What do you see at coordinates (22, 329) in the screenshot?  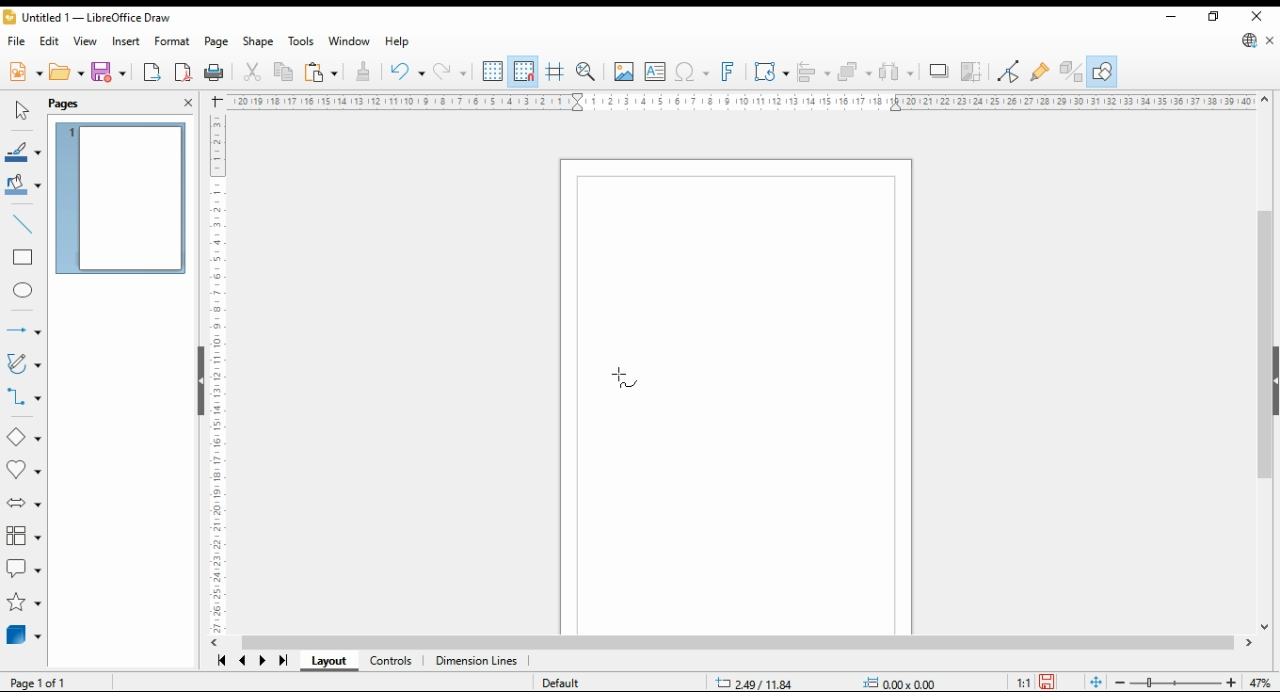 I see `arrows ` at bounding box center [22, 329].